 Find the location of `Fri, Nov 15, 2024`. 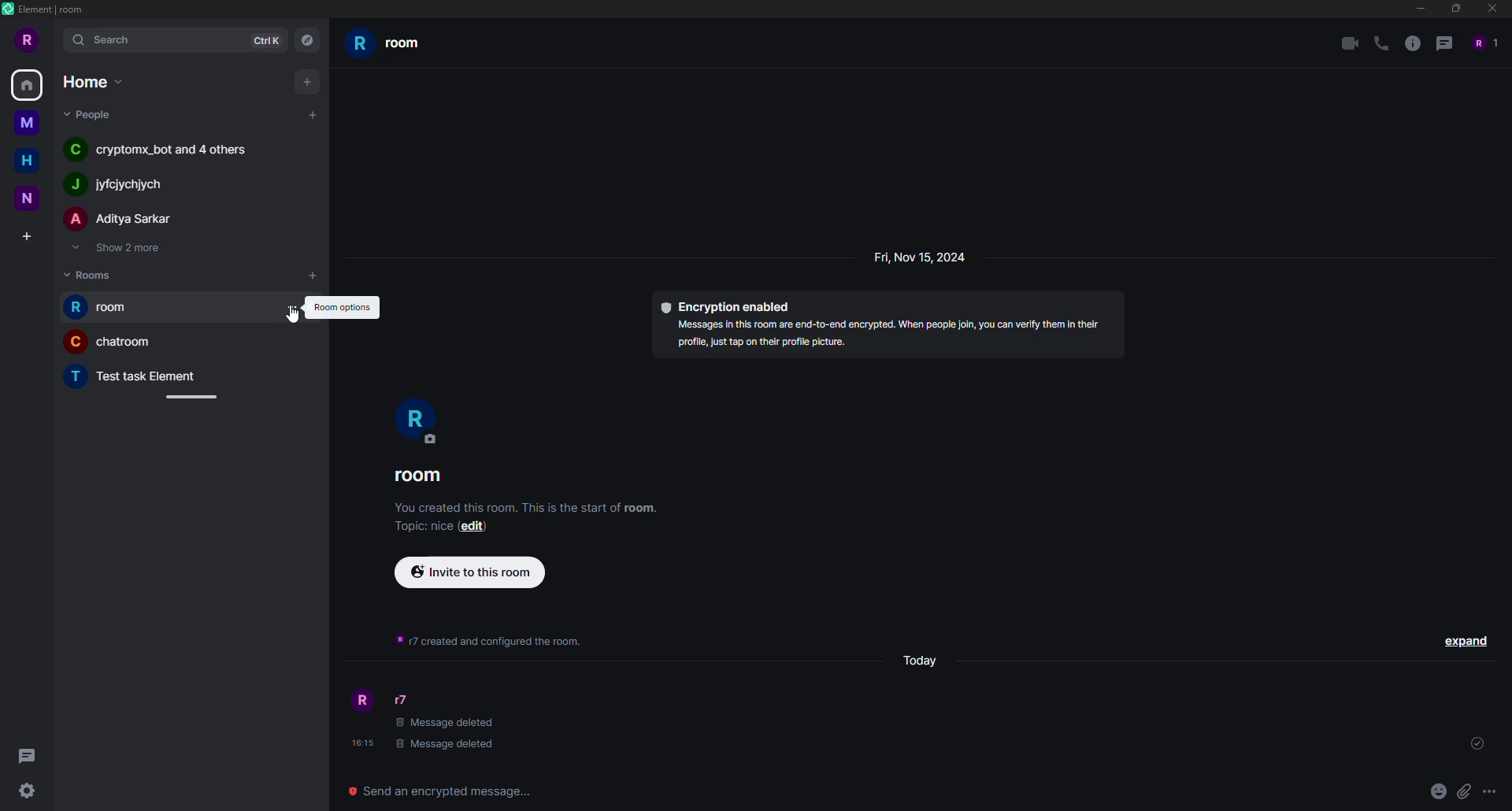

Fri, Nov 15, 2024 is located at coordinates (914, 257).